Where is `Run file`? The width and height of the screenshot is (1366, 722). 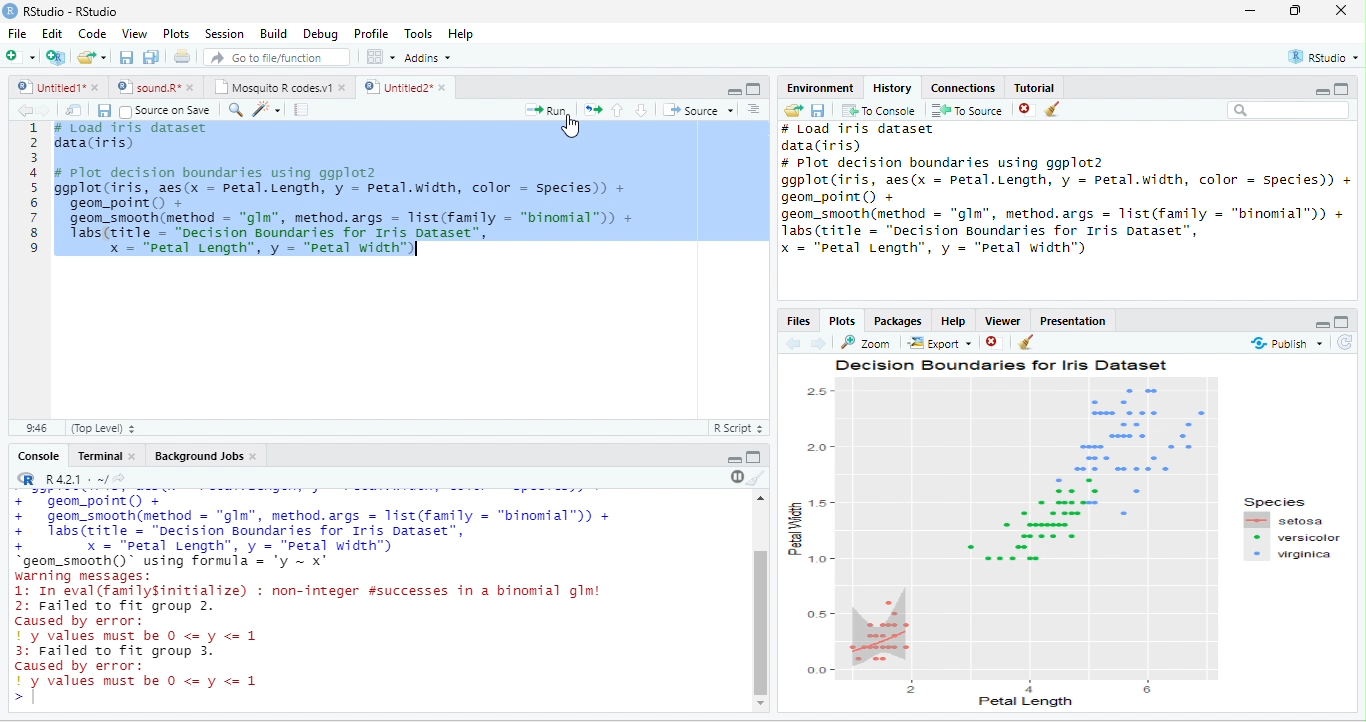 Run file is located at coordinates (545, 110).